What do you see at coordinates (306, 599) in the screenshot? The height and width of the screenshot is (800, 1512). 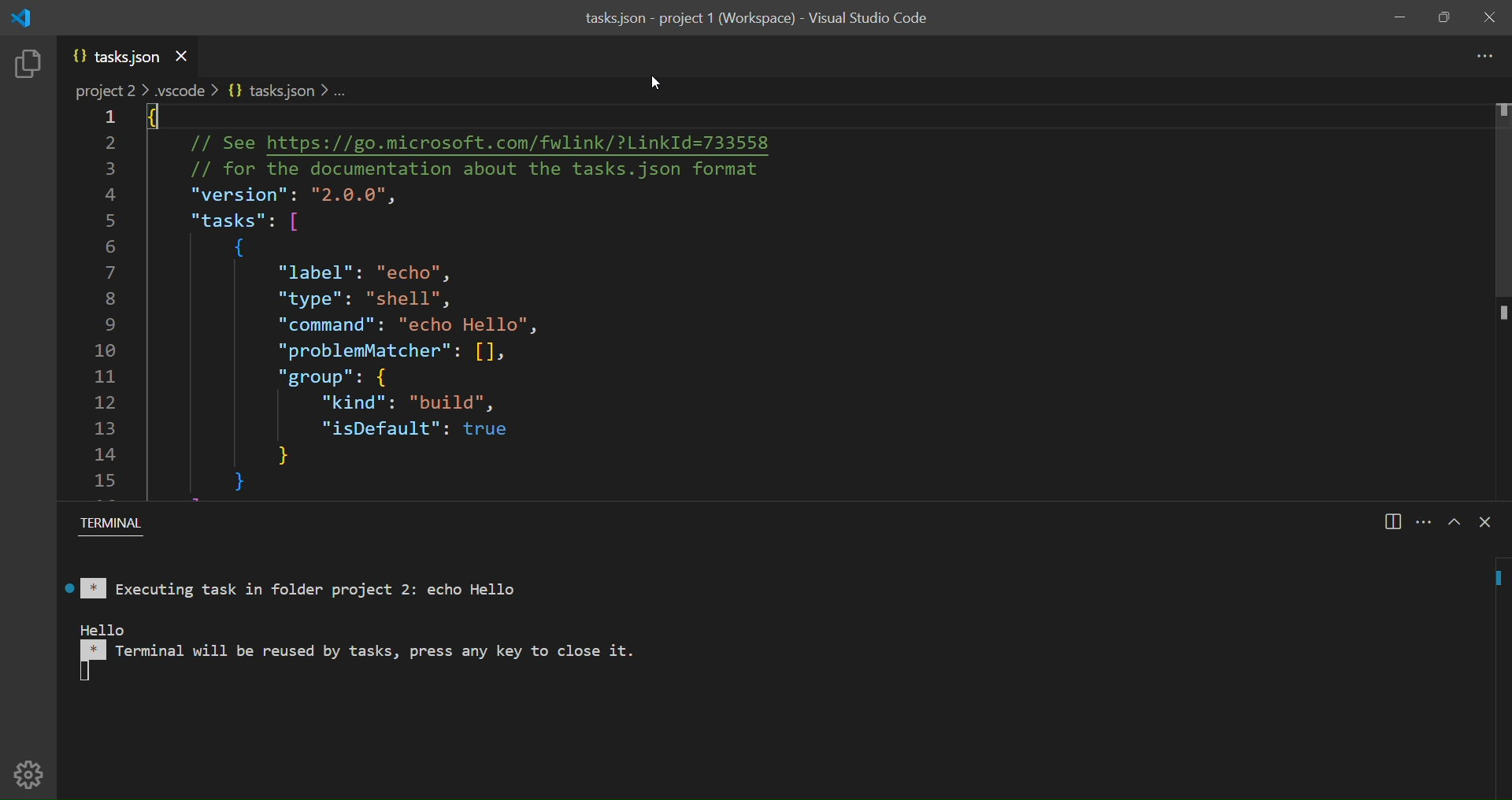 I see `Executing task in folder project 2: echo Hello` at bounding box center [306, 599].